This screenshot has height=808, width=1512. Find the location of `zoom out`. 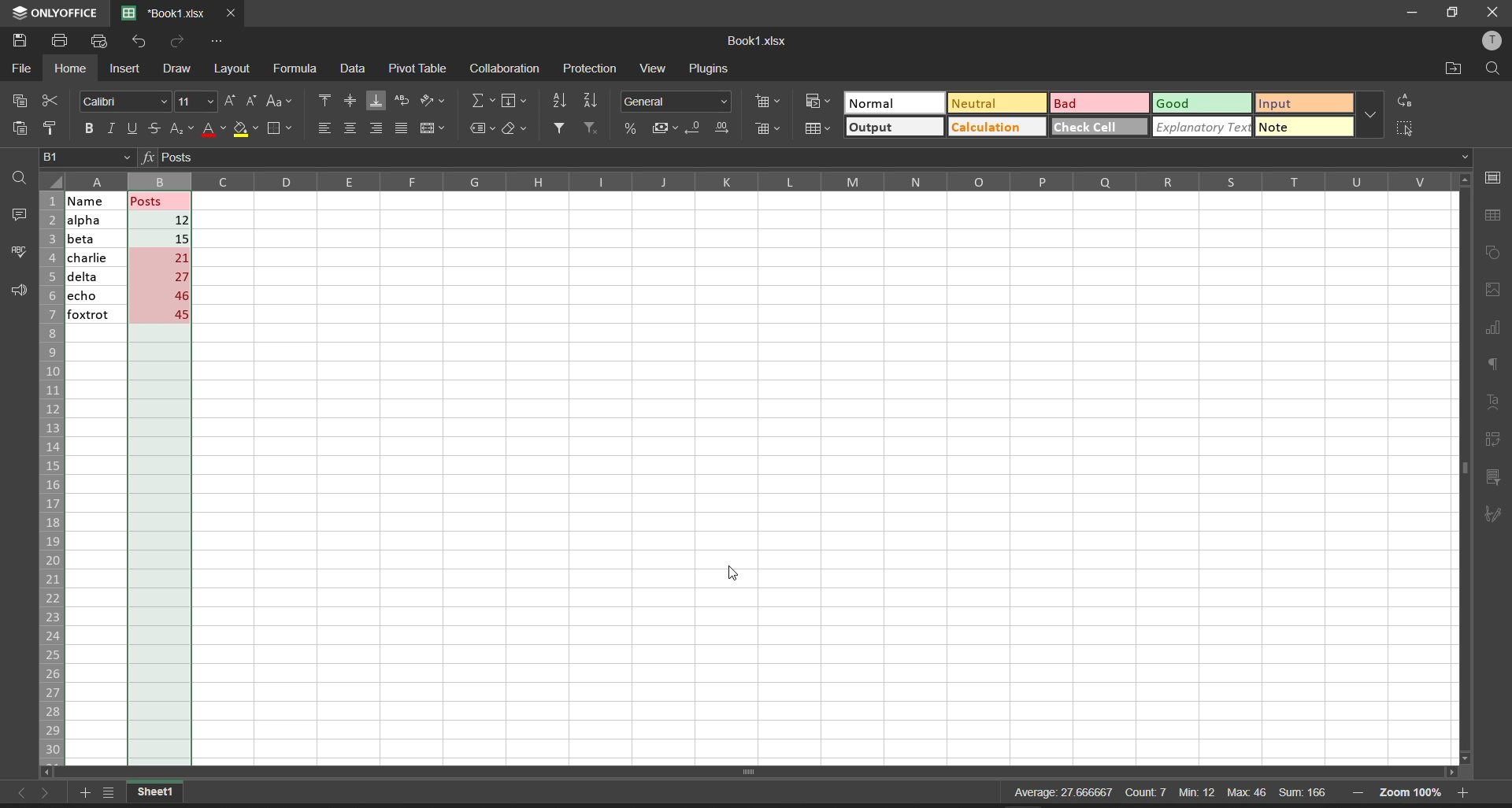

zoom out is located at coordinates (1358, 791).